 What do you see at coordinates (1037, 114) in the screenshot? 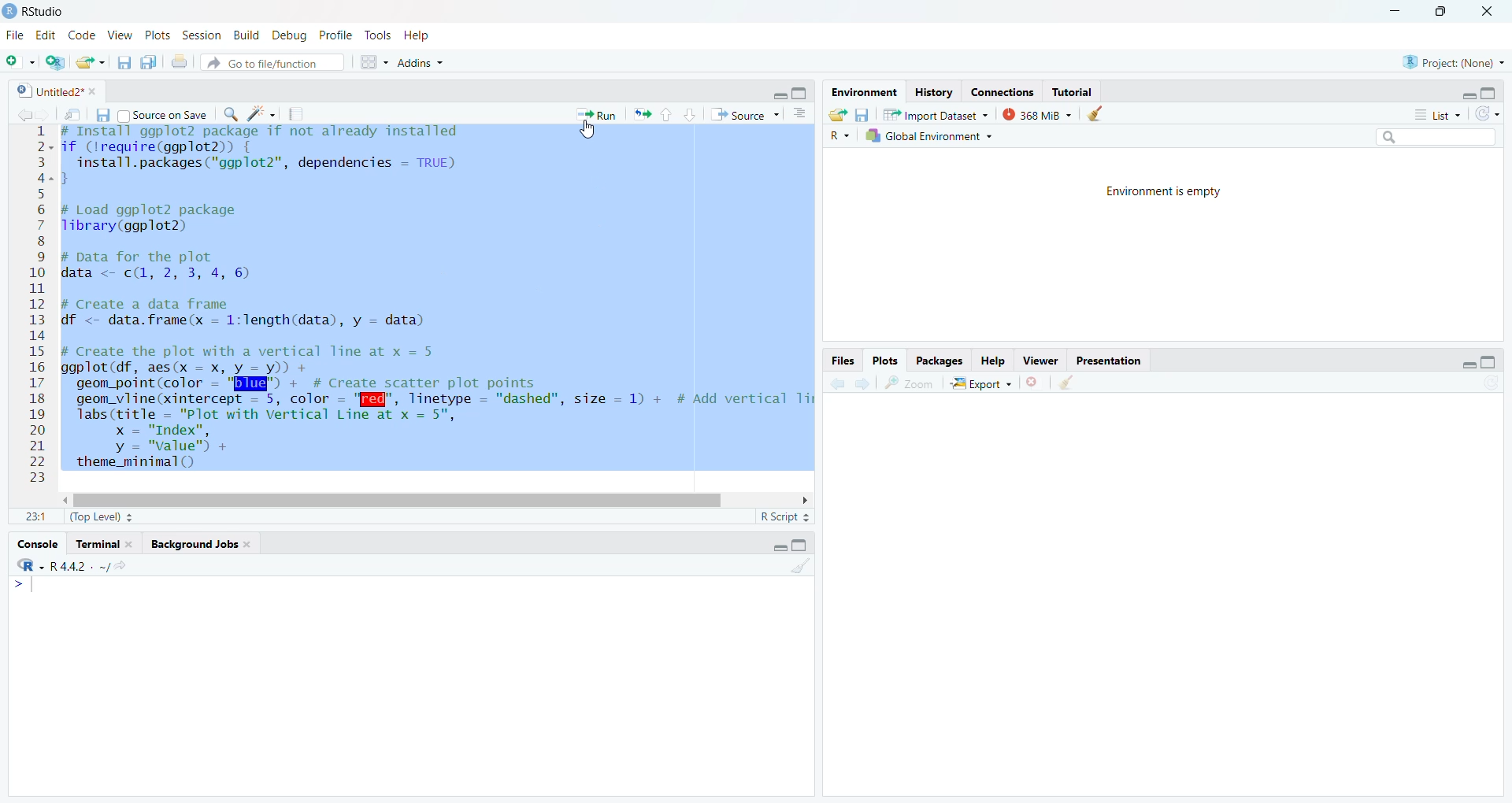
I see `368 MiB ~` at bounding box center [1037, 114].